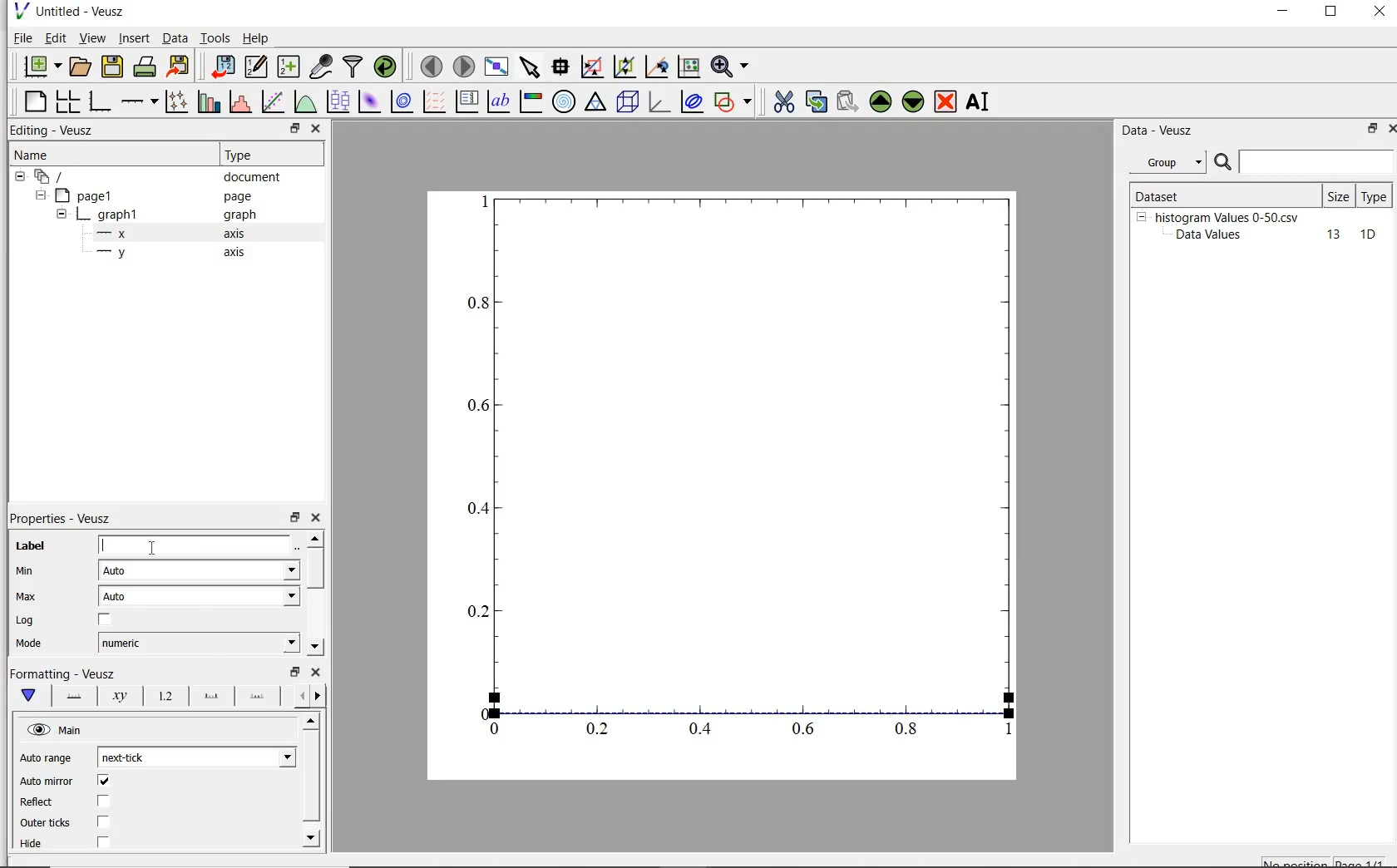  What do you see at coordinates (20, 11) in the screenshot?
I see `veusz logo` at bounding box center [20, 11].